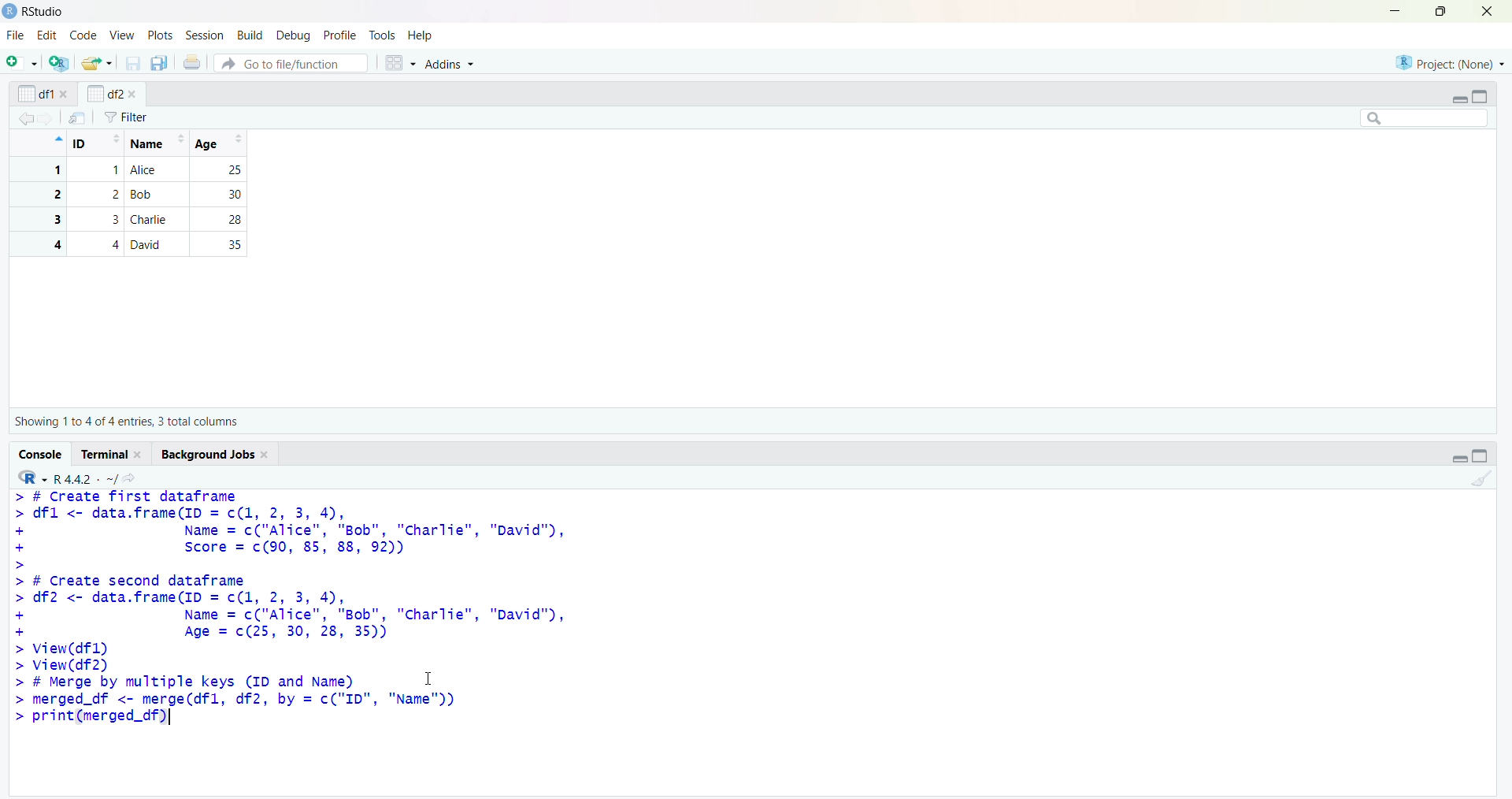 The width and height of the screenshot is (1512, 799). What do you see at coordinates (1488, 11) in the screenshot?
I see `close` at bounding box center [1488, 11].